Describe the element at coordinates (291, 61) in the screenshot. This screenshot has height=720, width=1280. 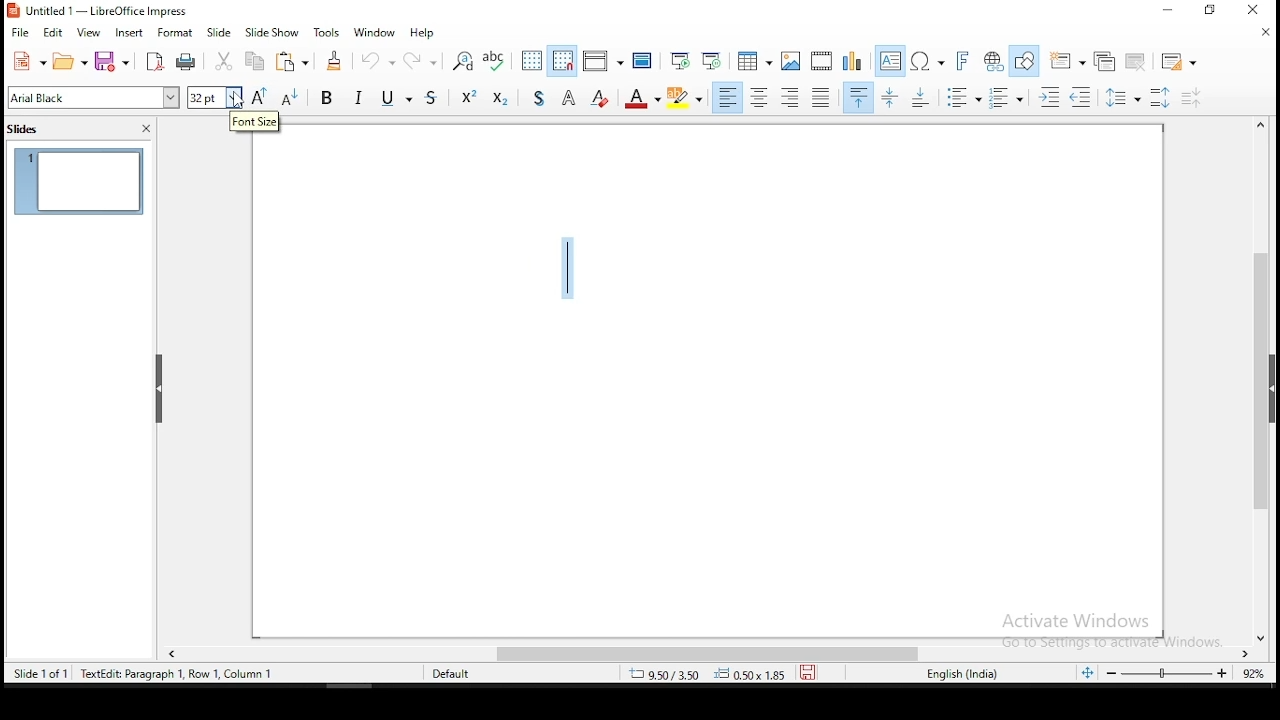
I see `paste` at that location.